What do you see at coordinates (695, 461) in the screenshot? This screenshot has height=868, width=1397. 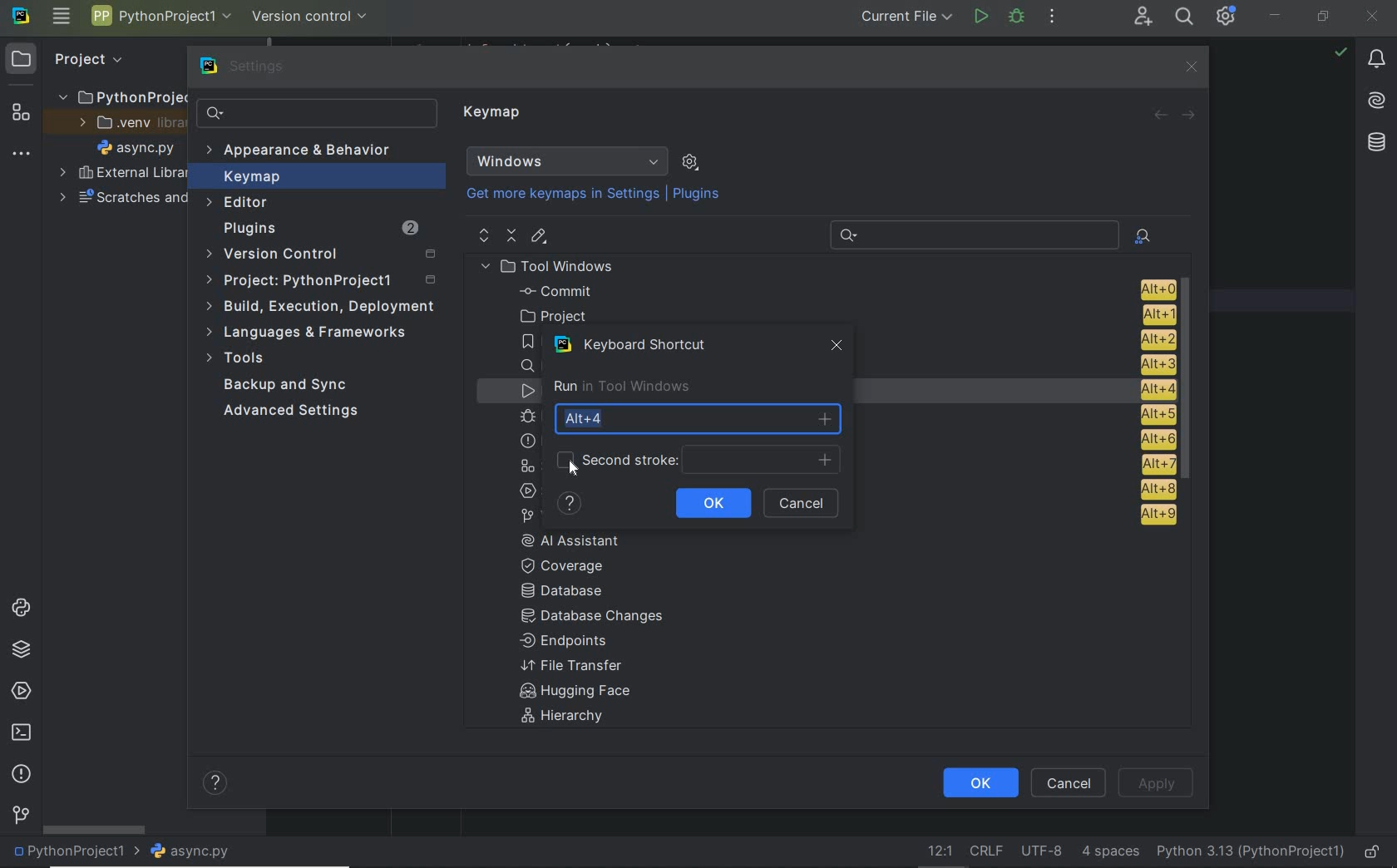 I see `second stroke` at bounding box center [695, 461].